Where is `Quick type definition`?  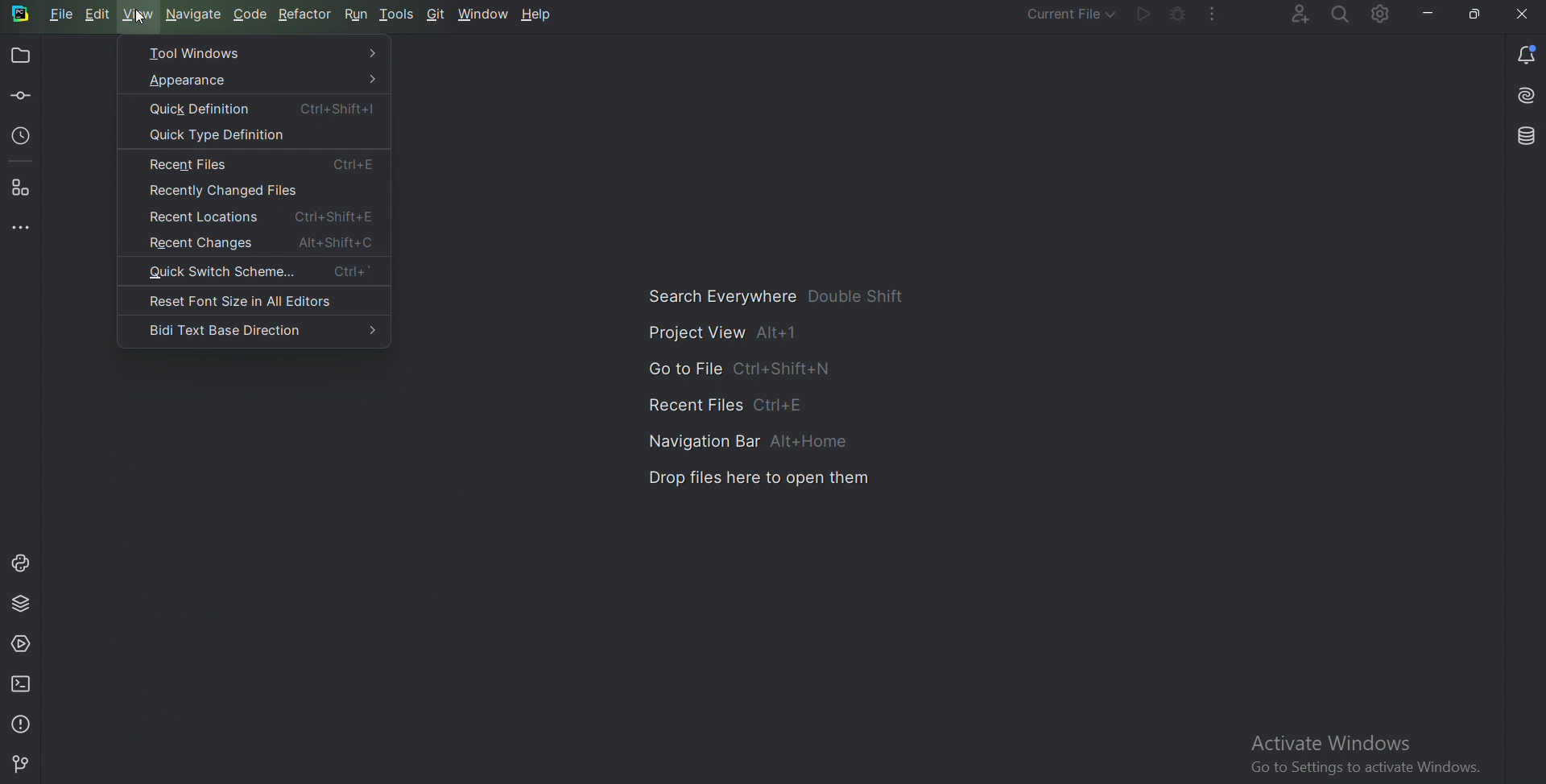 Quick type definition is located at coordinates (254, 135).